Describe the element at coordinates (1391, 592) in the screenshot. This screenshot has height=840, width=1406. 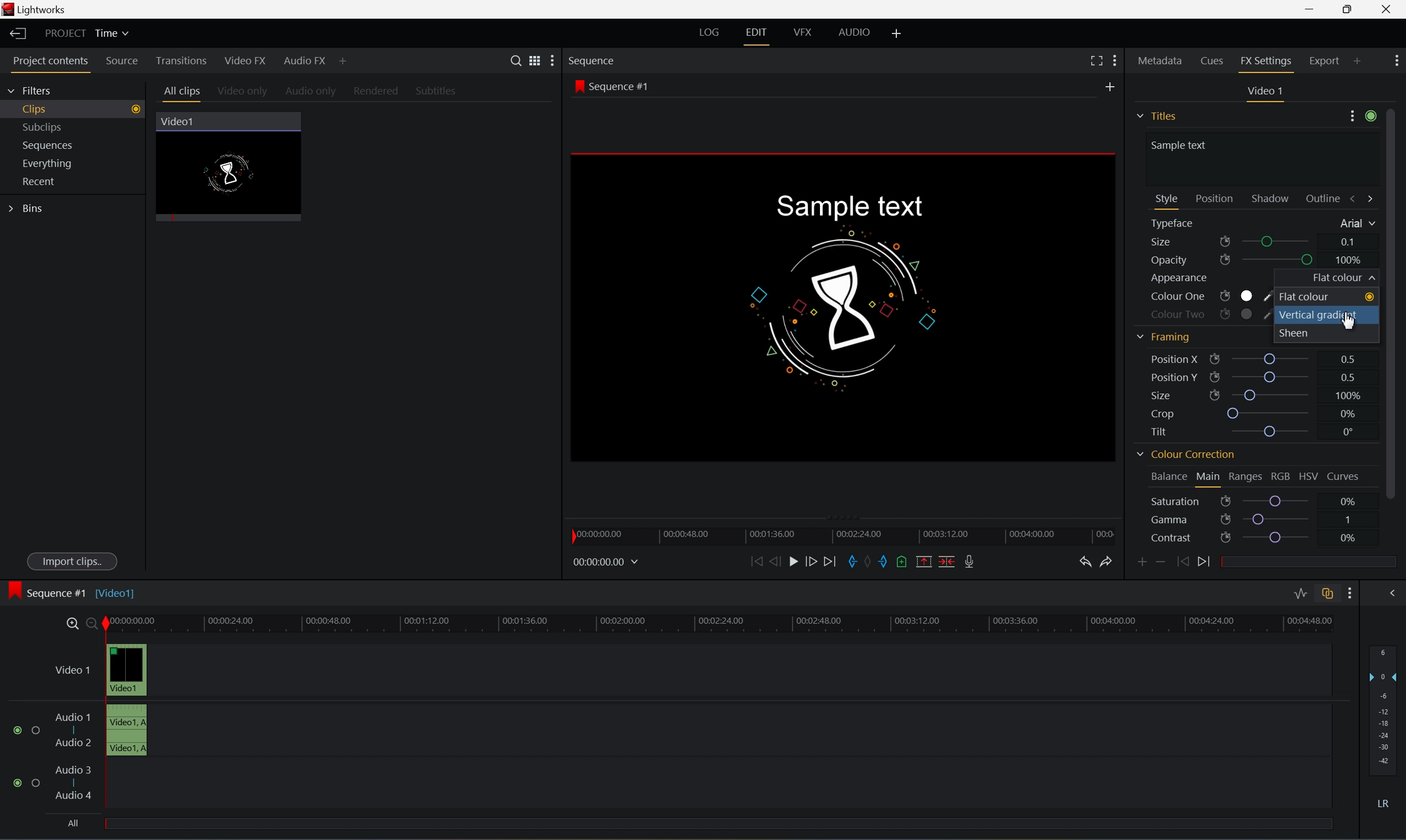
I see `slide` at that location.